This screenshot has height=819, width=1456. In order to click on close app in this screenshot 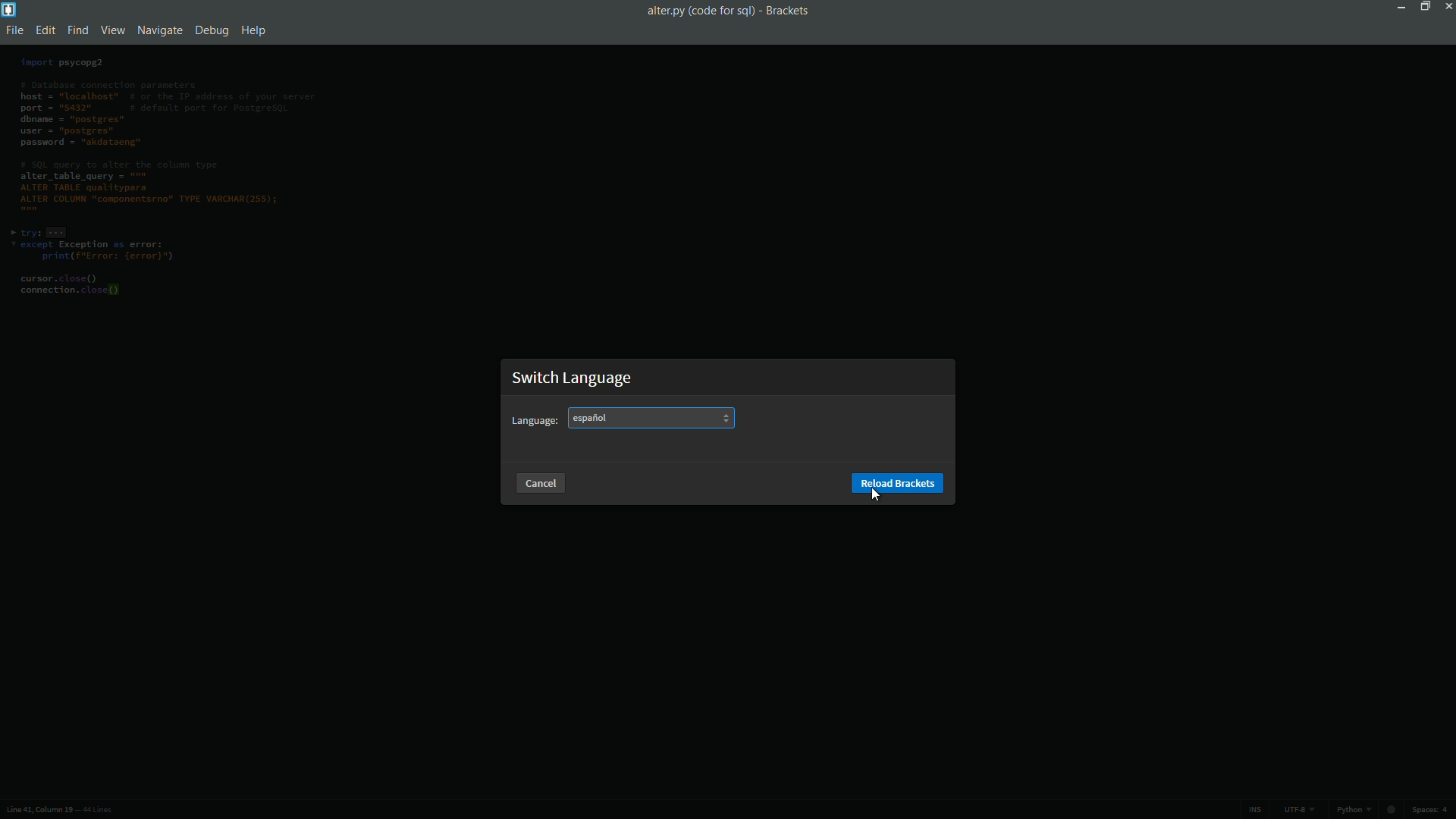, I will do `click(1447, 8)`.